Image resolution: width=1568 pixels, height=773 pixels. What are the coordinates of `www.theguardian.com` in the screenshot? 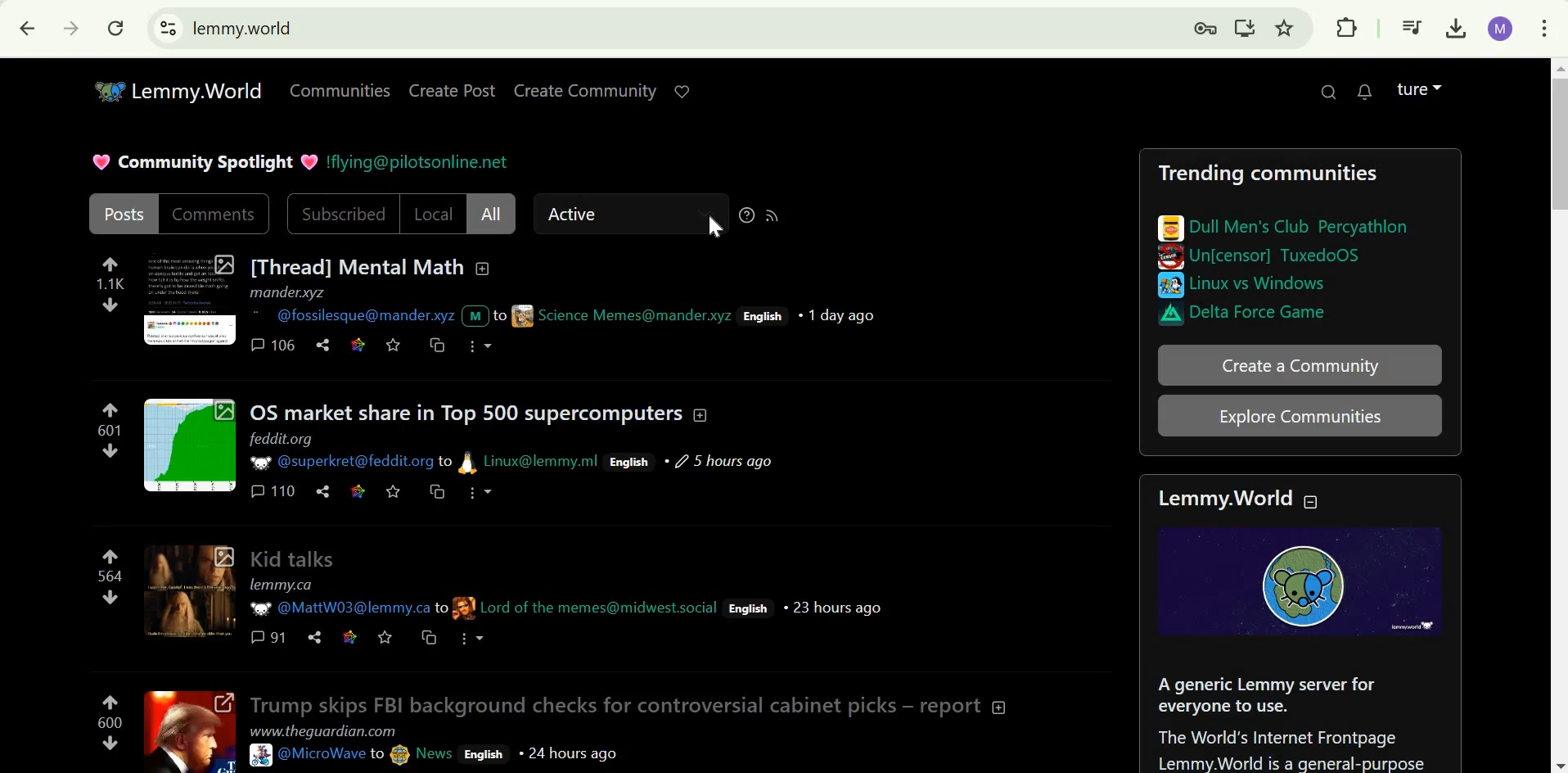 It's located at (326, 730).